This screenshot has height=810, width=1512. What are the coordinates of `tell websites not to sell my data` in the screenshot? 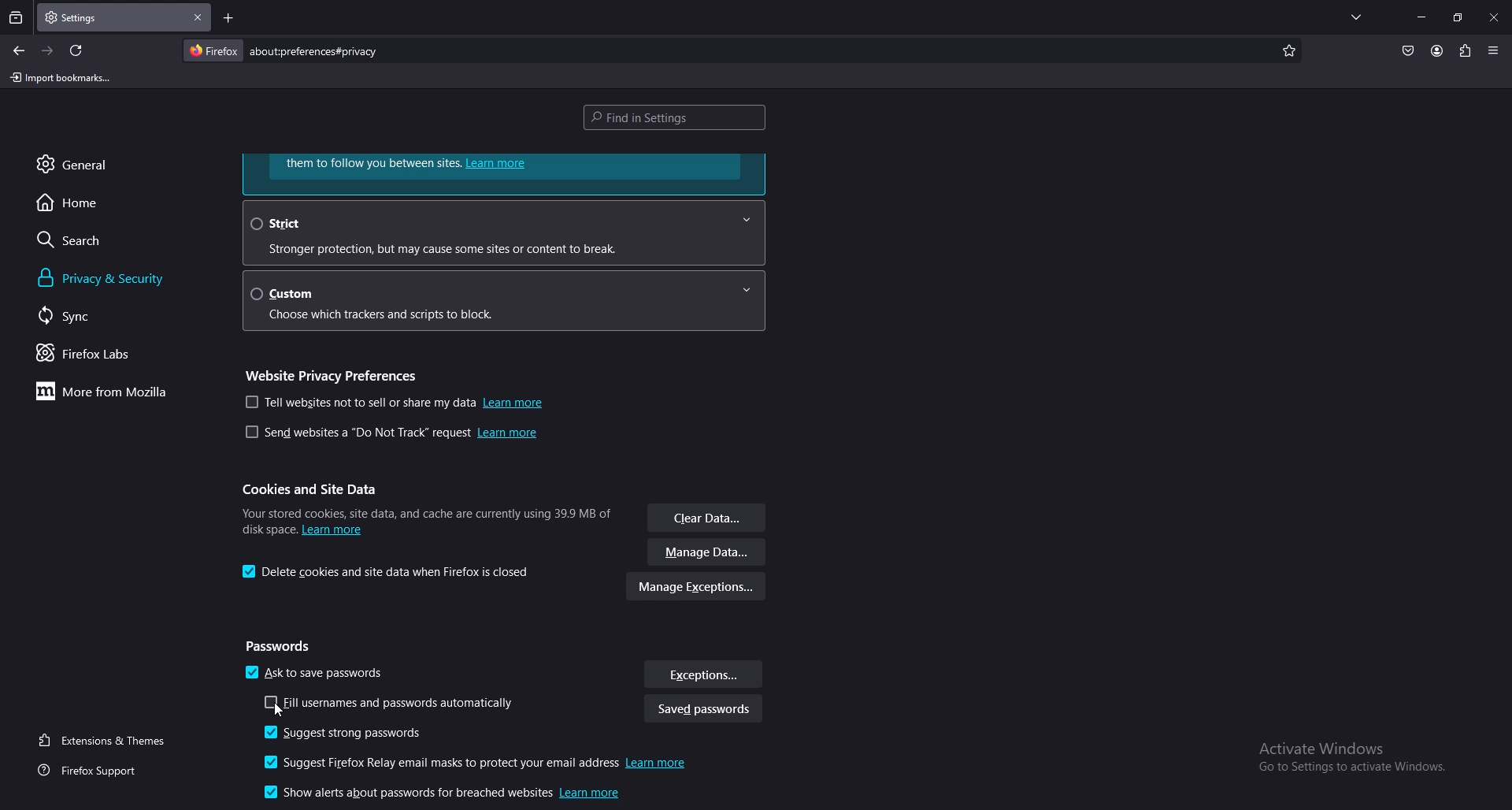 It's located at (395, 403).